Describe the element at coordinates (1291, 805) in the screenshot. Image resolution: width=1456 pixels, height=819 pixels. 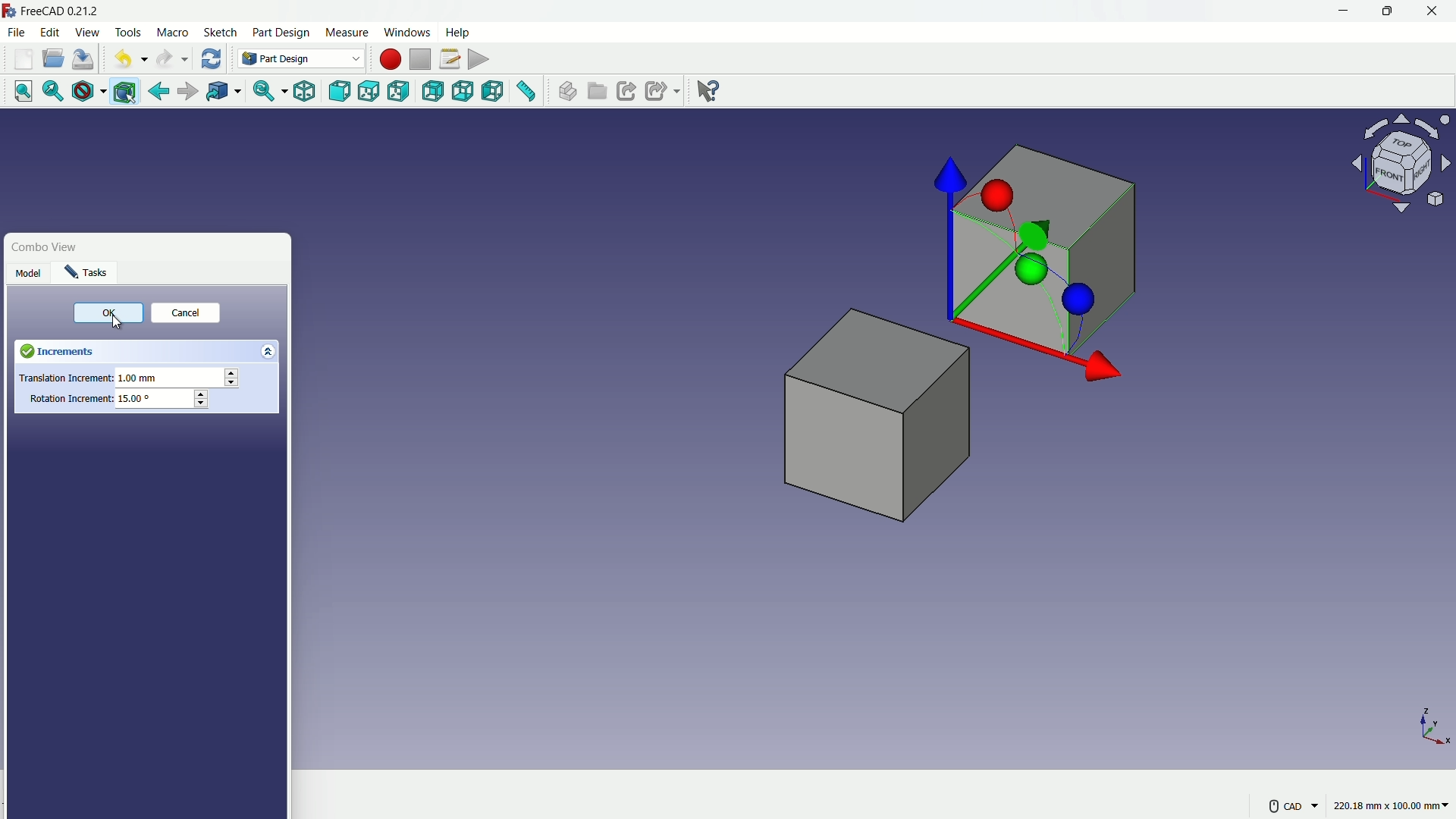
I see `CAD` at that location.